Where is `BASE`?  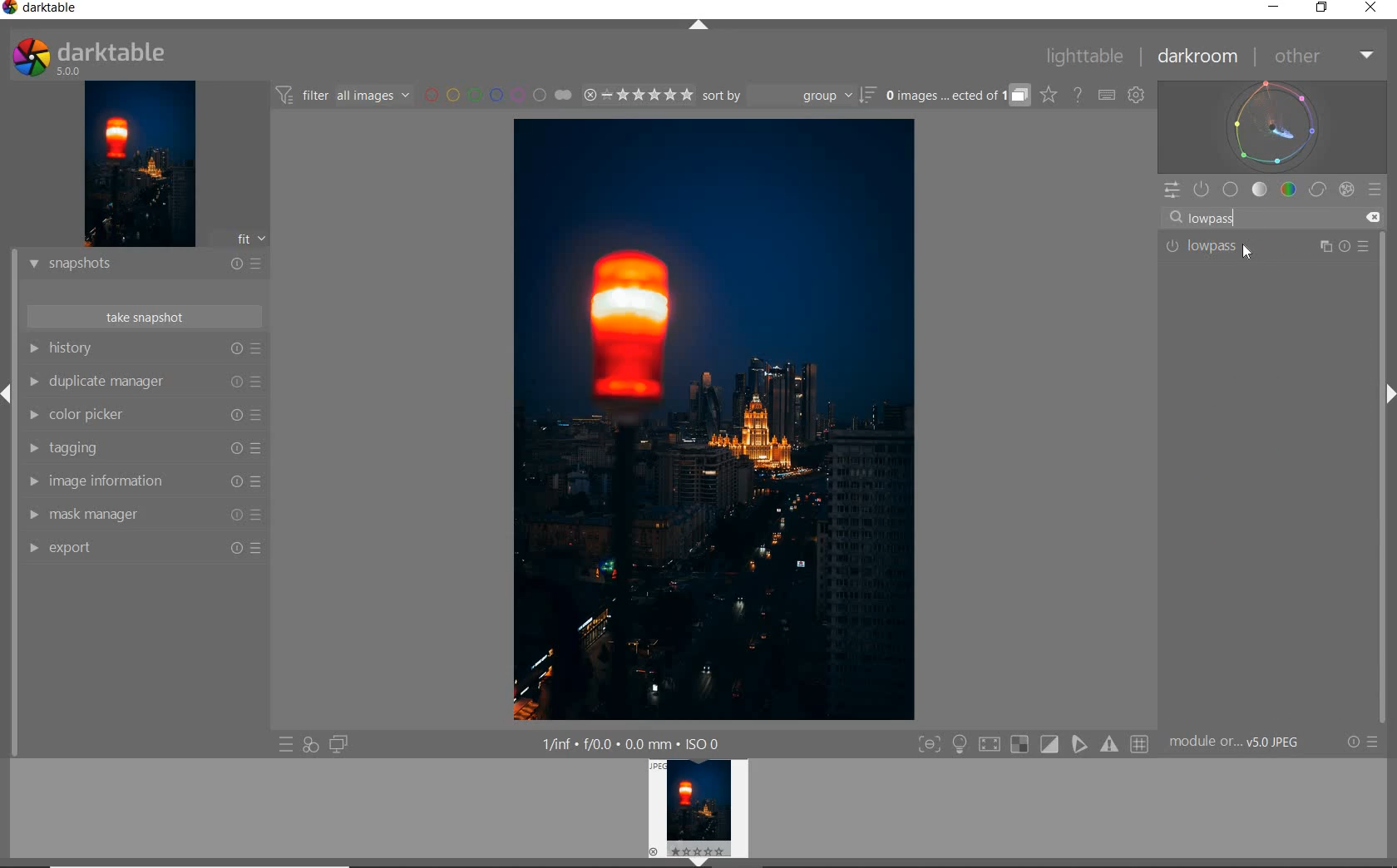
BASE is located at coordinates (1232, 190).